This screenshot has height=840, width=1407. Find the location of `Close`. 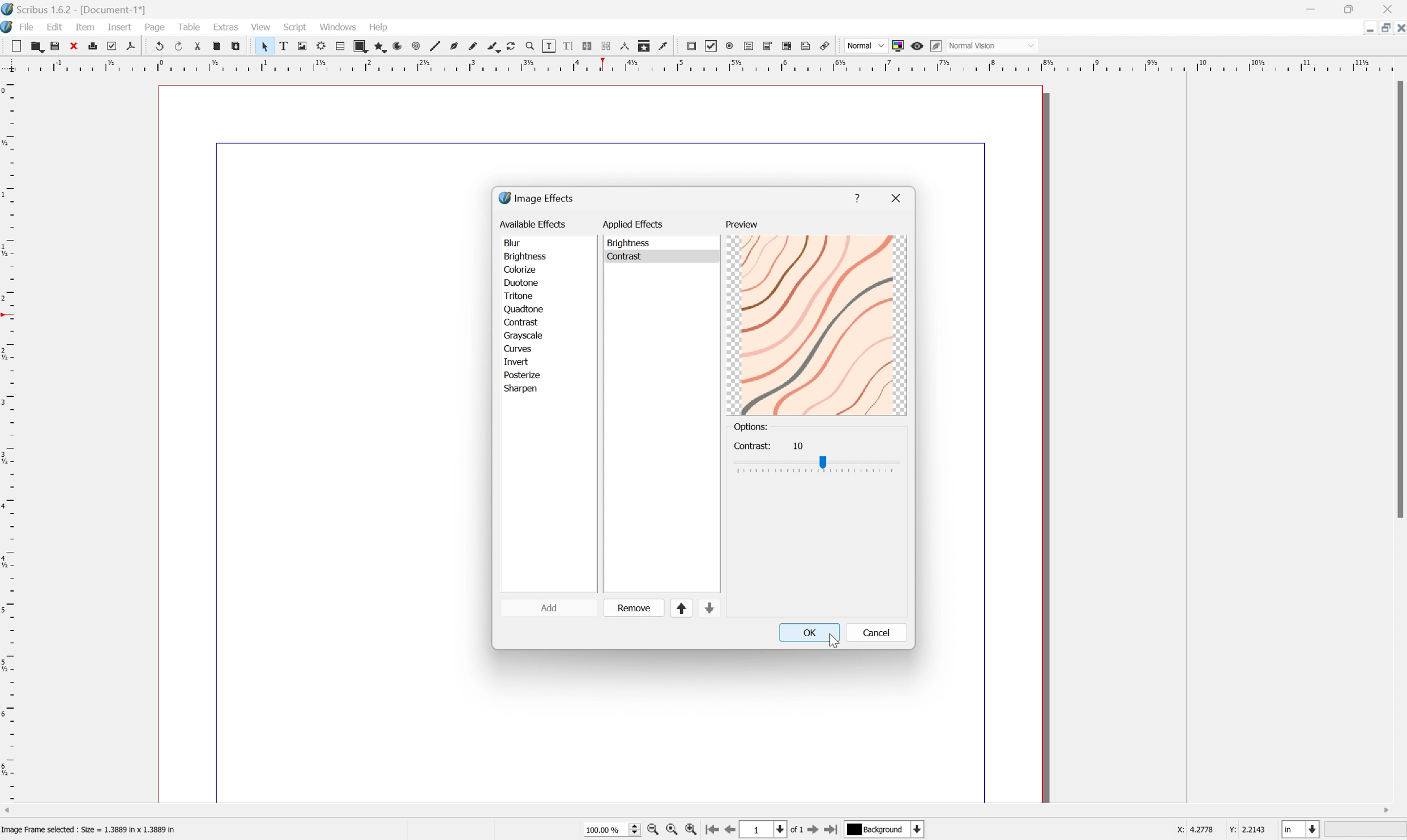

Close is located at coordinates (1398, 29).